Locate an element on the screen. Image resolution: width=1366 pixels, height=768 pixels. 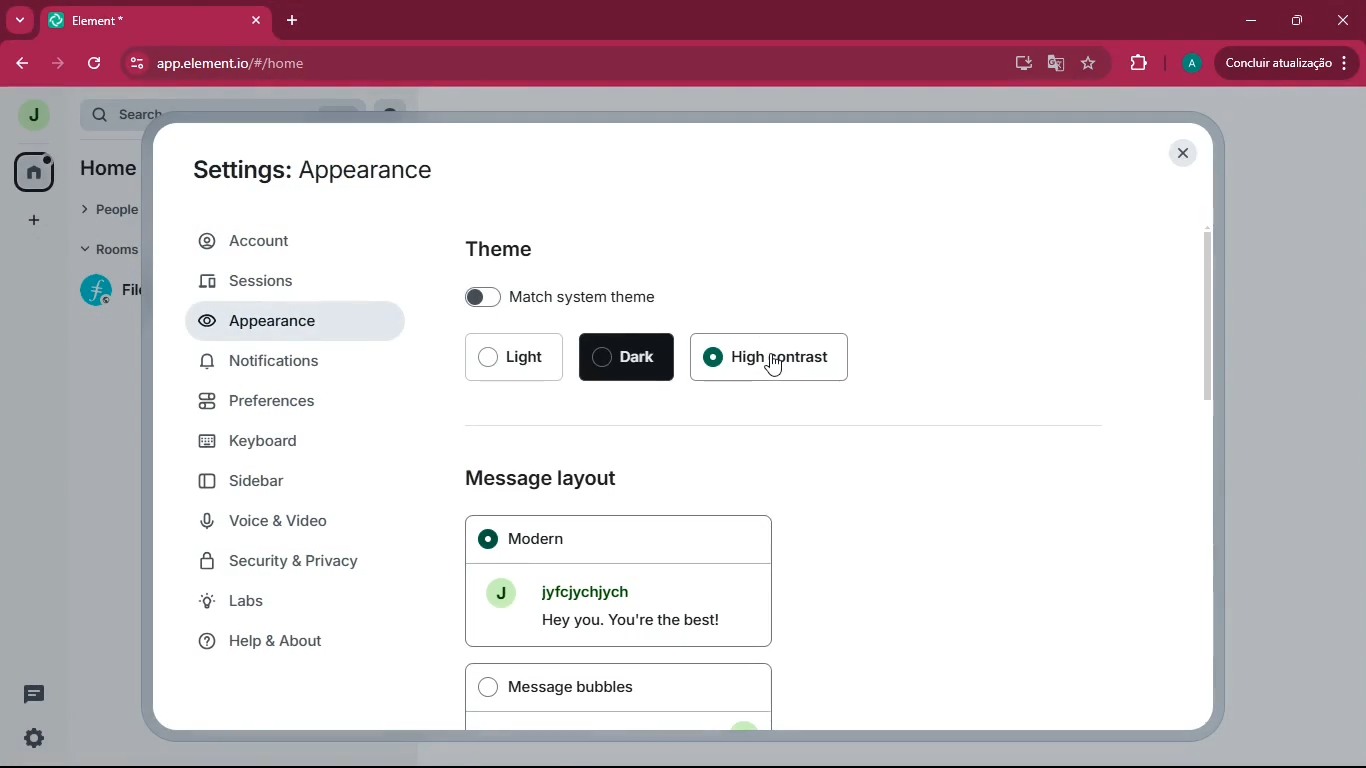
app.elementio/#/home is located at coordinates (365, 65).